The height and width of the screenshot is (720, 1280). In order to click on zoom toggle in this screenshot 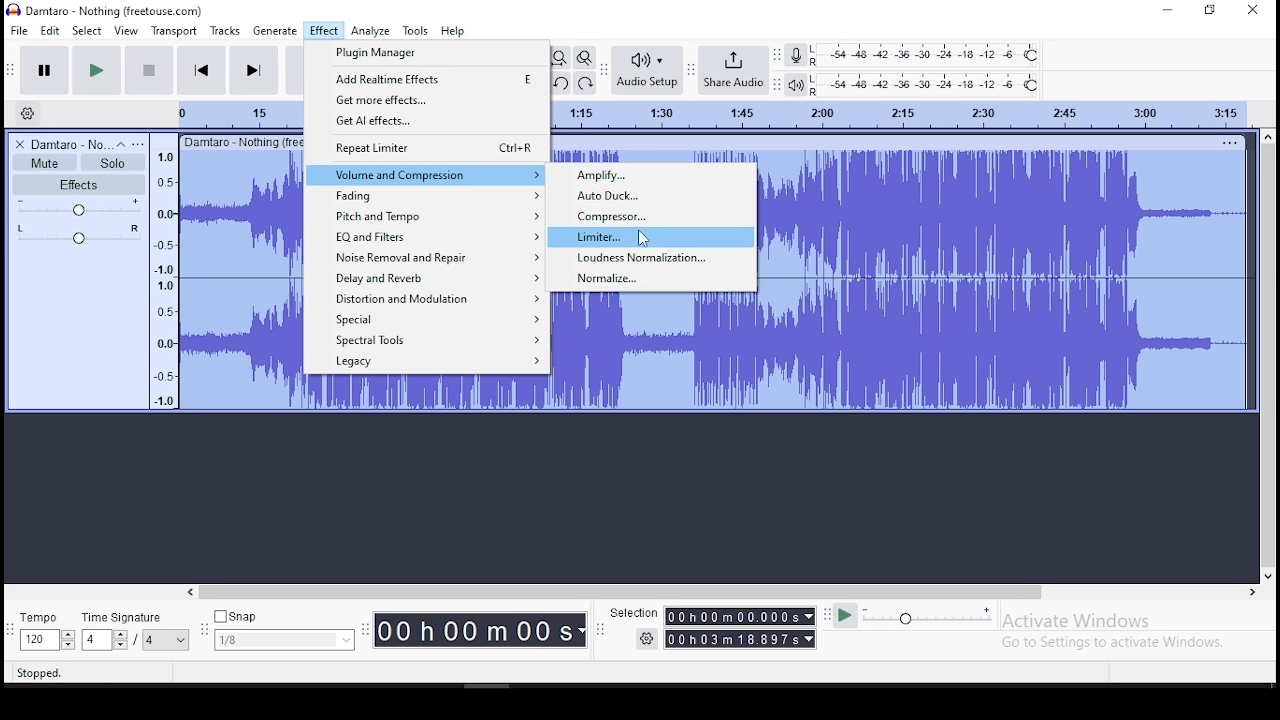, I will do `click(584, 57)`.